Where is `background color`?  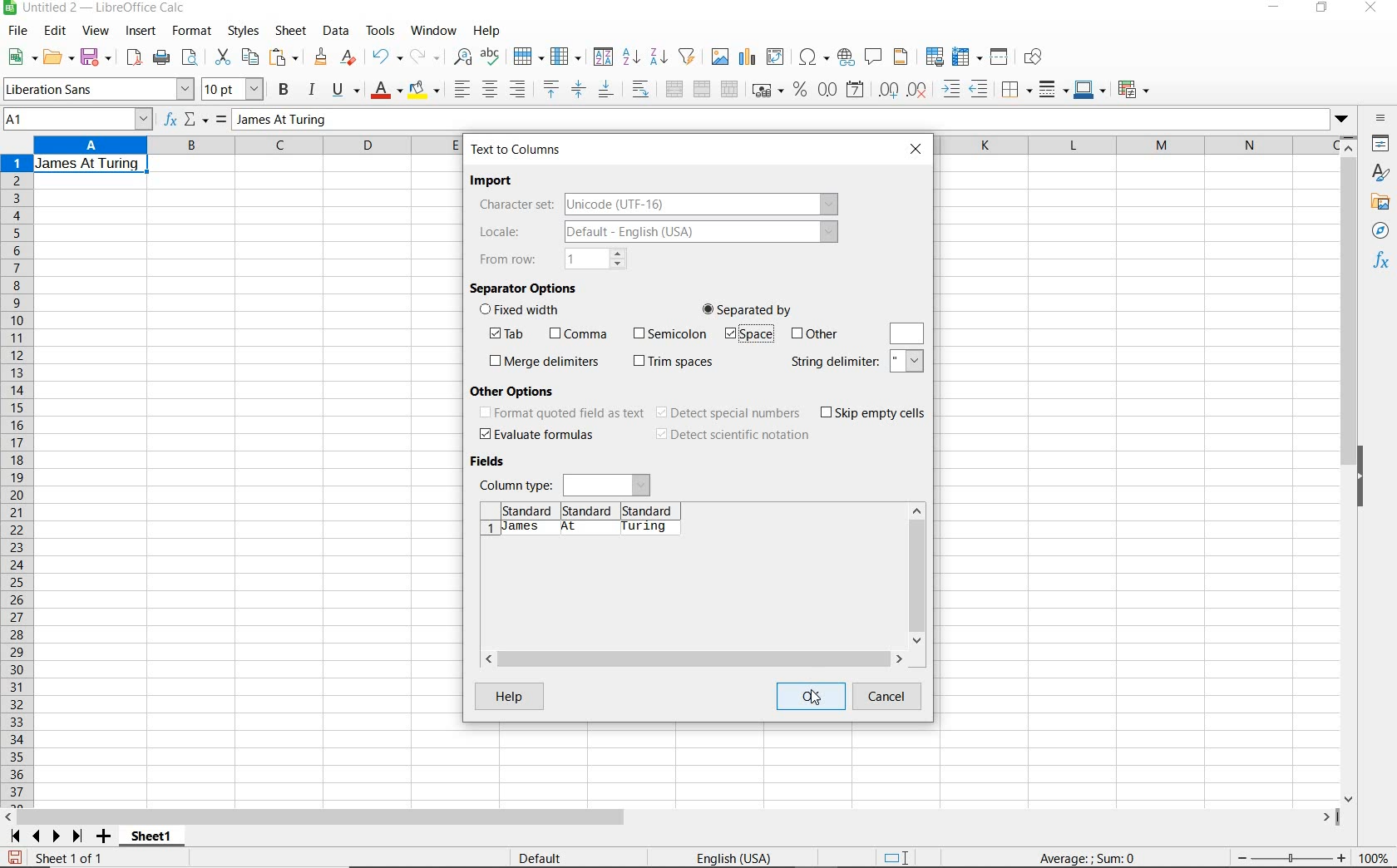
background color is located at coordinates (425, 89).